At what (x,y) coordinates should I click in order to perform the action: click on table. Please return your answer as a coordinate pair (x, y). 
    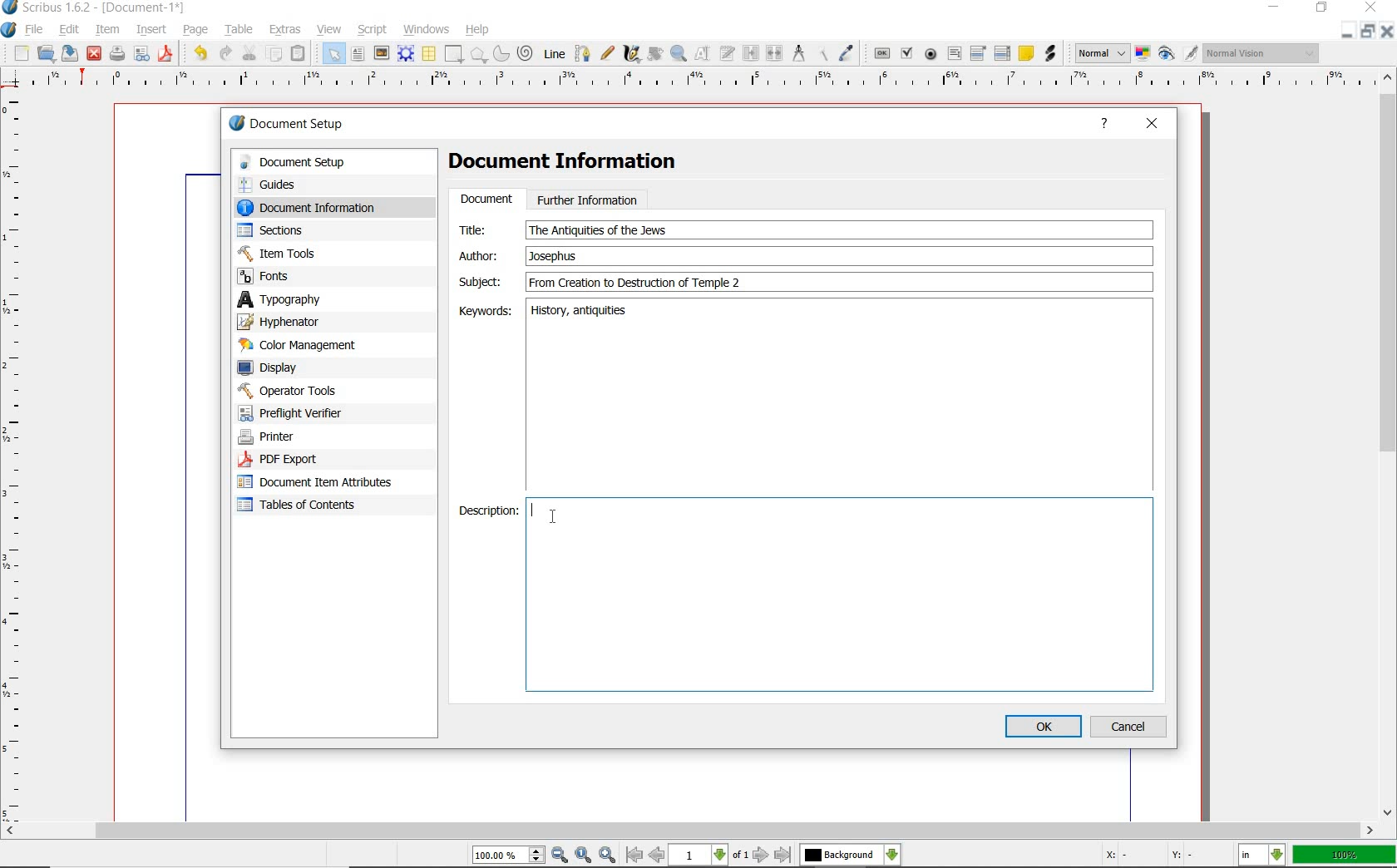
    Looking at the image, I should click on (428, 53).